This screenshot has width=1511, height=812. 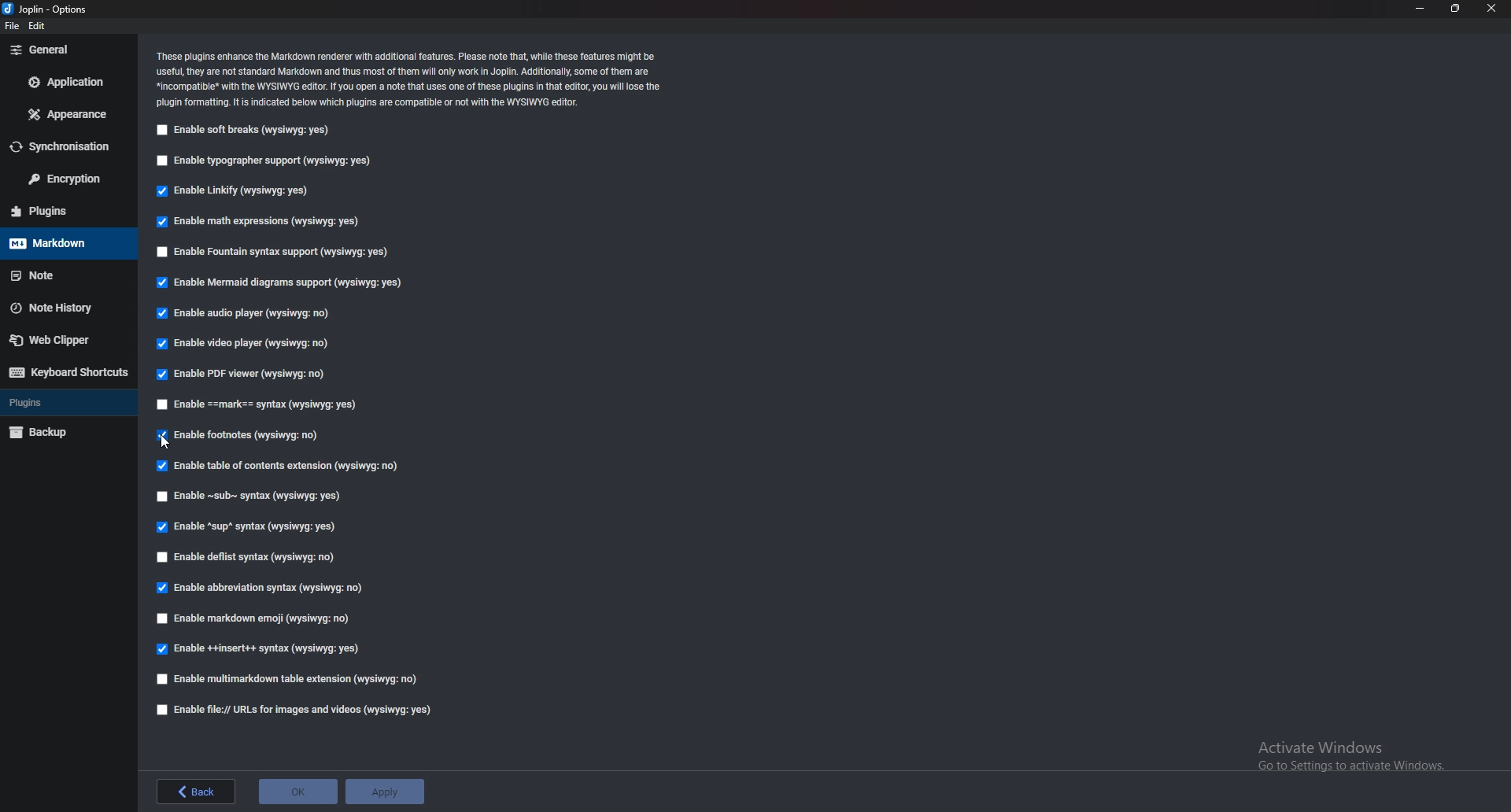 What do you see at coordinates (245, 341) in the screenshot?
I see `enable video player` at bounding box center [245, 341].